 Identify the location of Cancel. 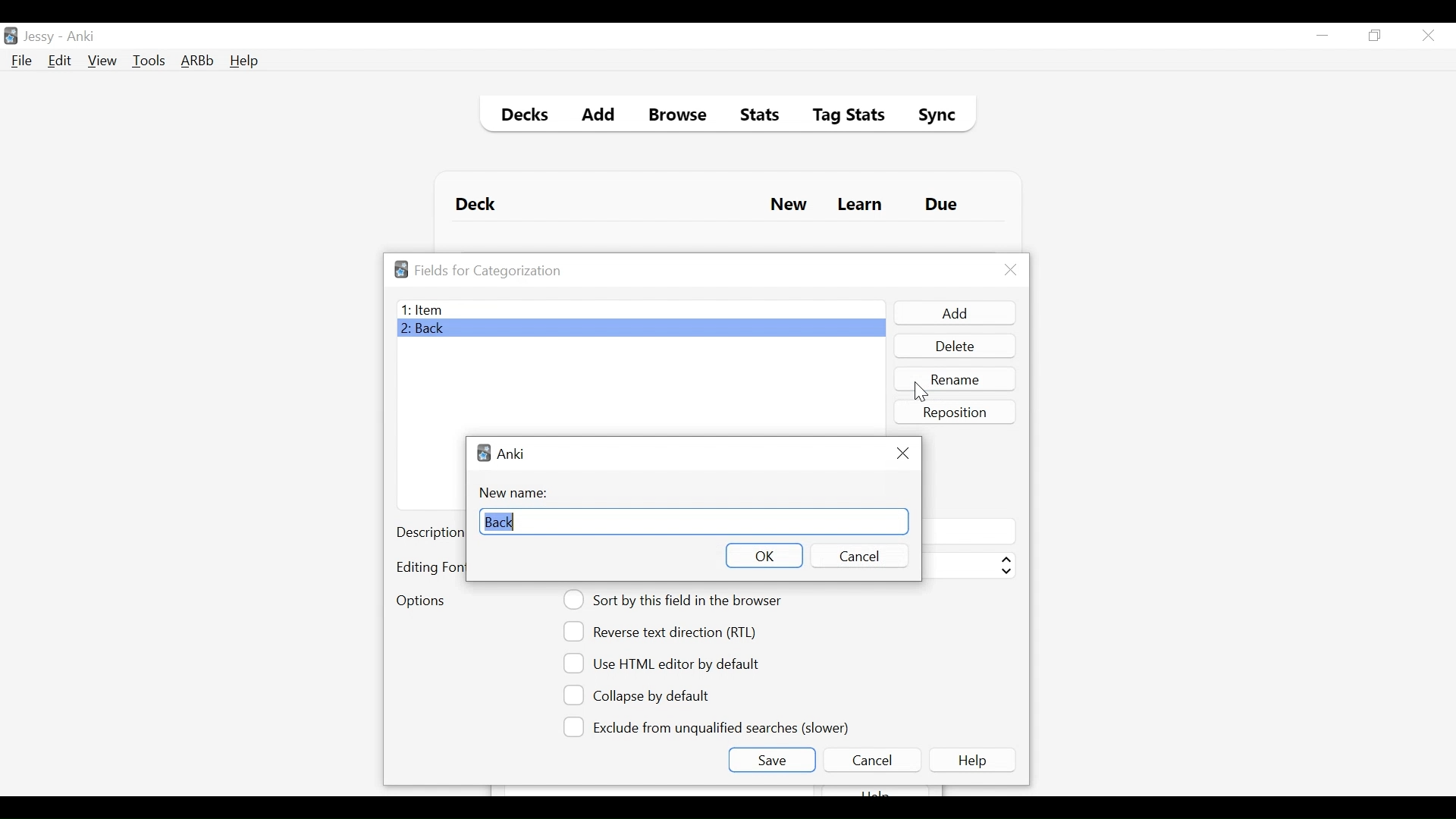
(857, 556).